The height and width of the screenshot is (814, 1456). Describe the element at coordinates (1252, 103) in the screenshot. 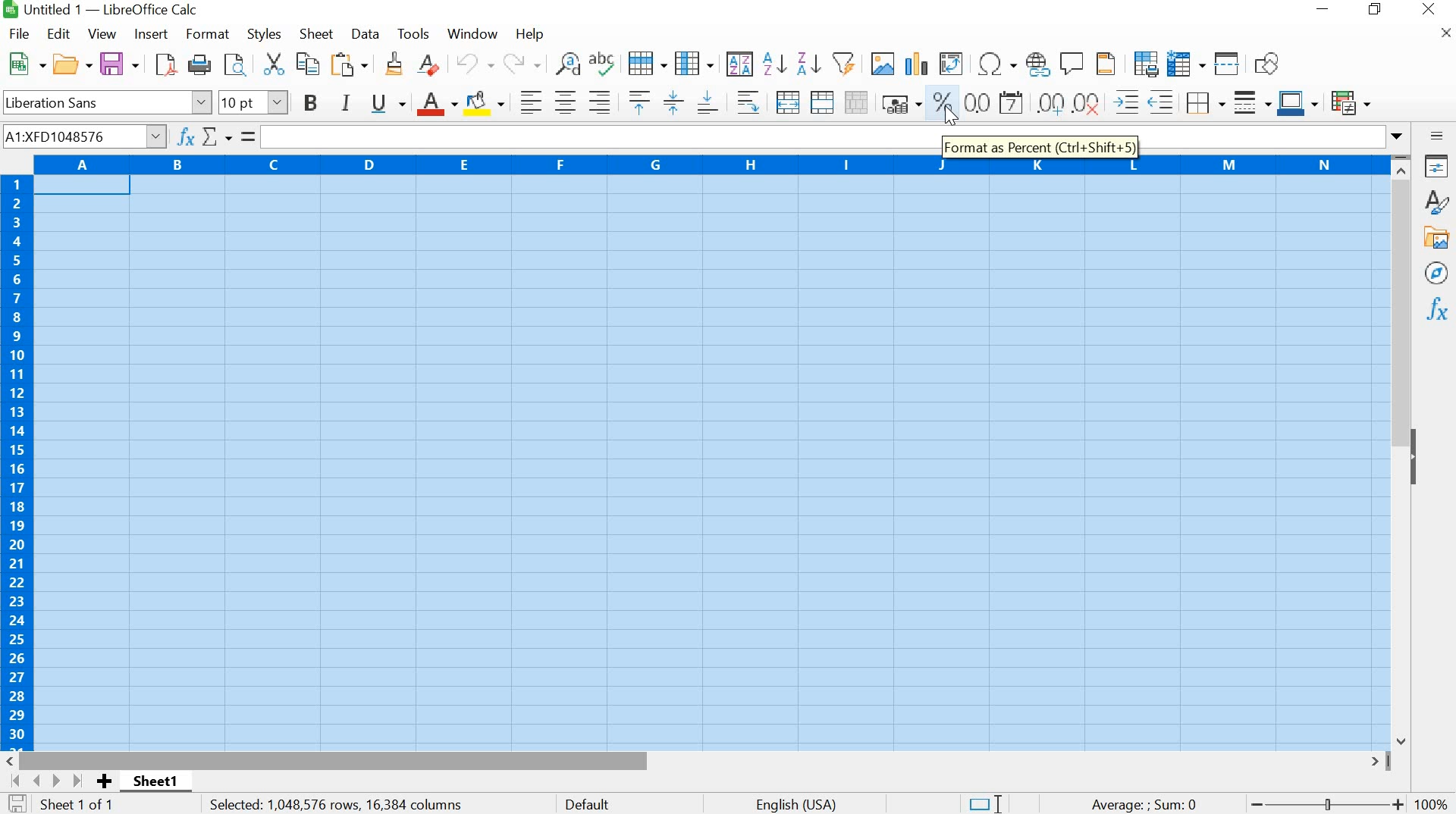

I see `Border Style` at that location.